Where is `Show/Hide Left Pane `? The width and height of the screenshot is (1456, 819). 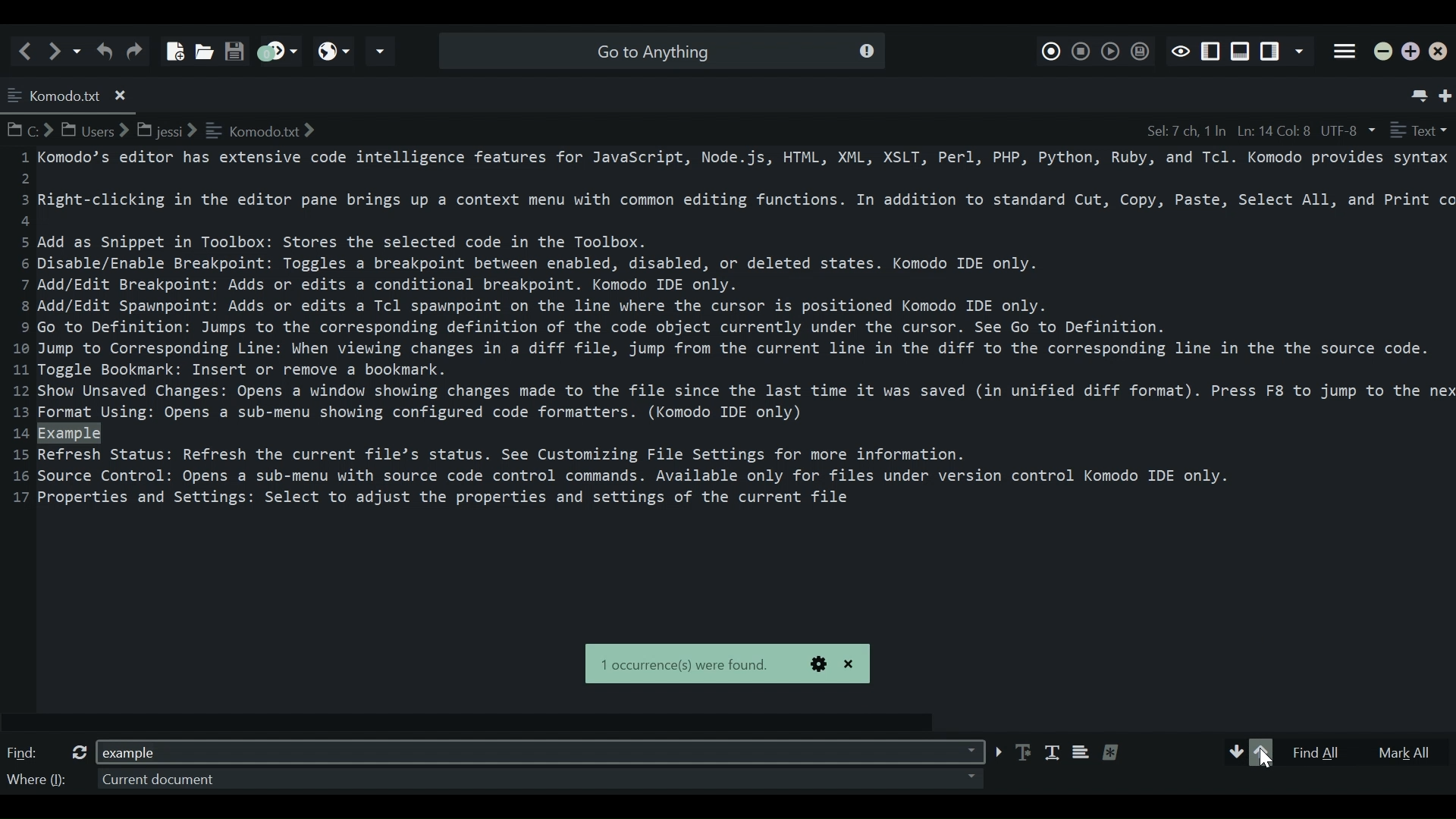 Show/Hide Left Pane  is located at coordinates (1272, 52).